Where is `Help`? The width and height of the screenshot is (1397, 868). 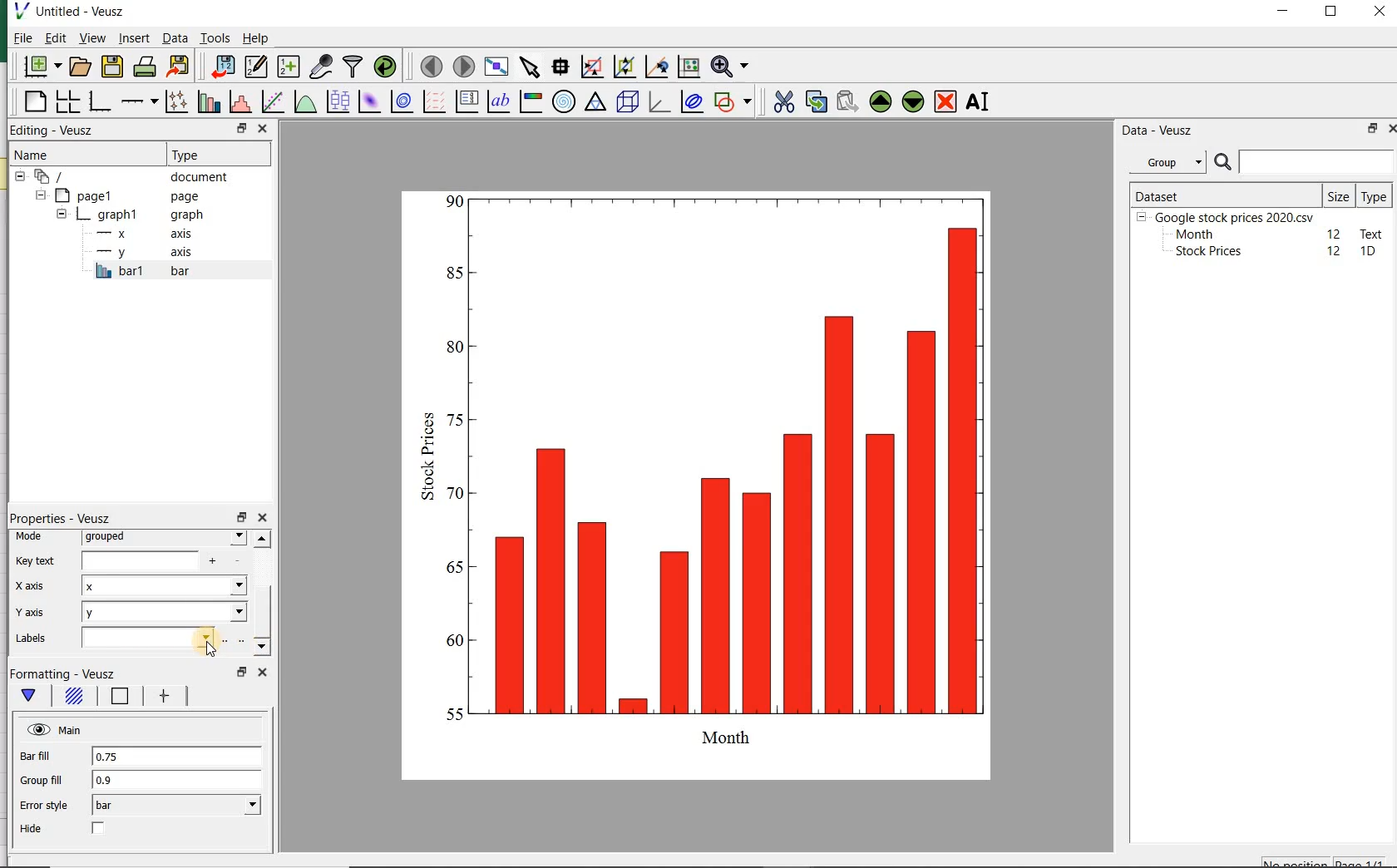 Help is located at coordinates (258, 40).